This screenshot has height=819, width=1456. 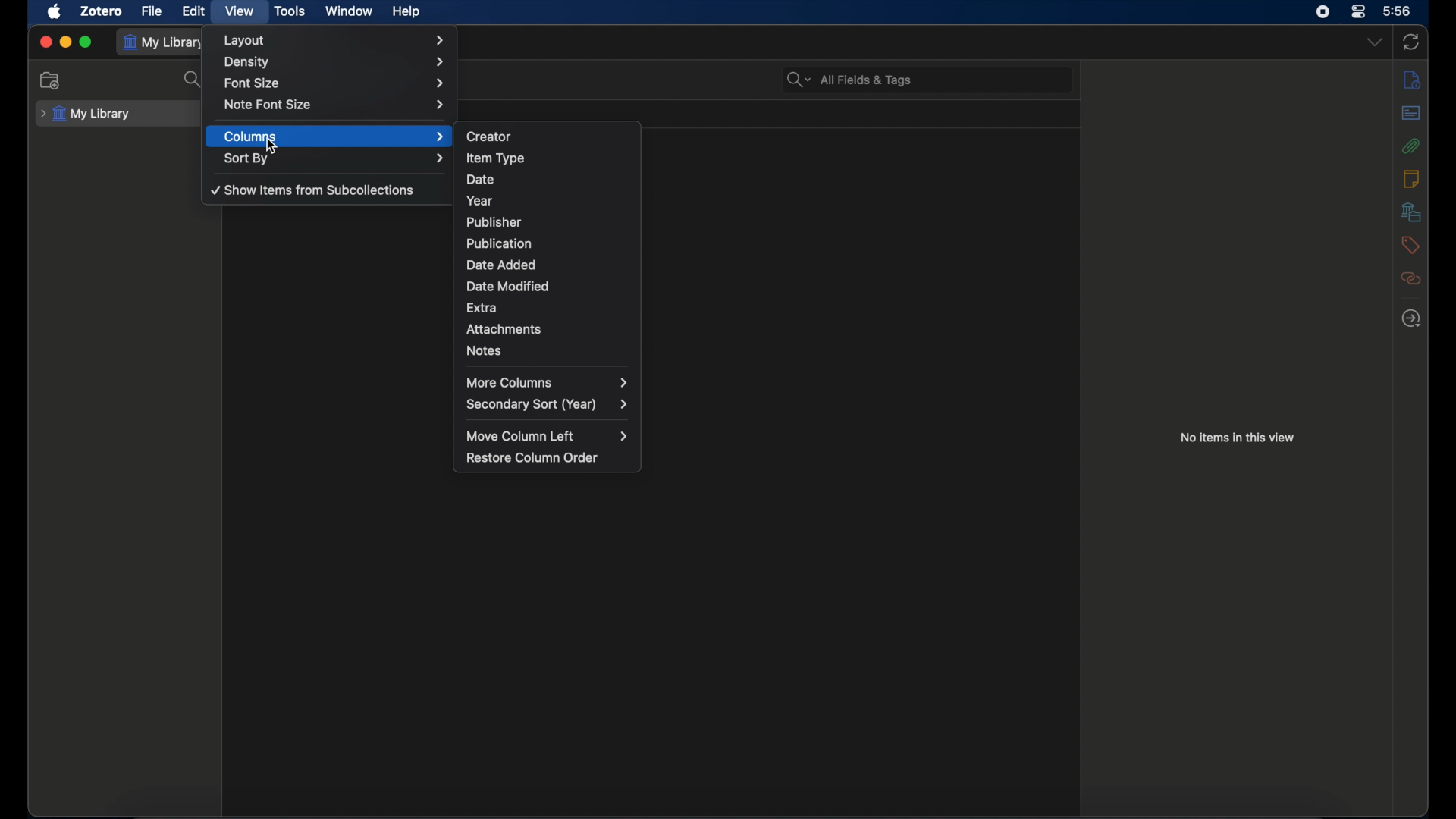 I want to click on edit, so click(x=193, y=11).